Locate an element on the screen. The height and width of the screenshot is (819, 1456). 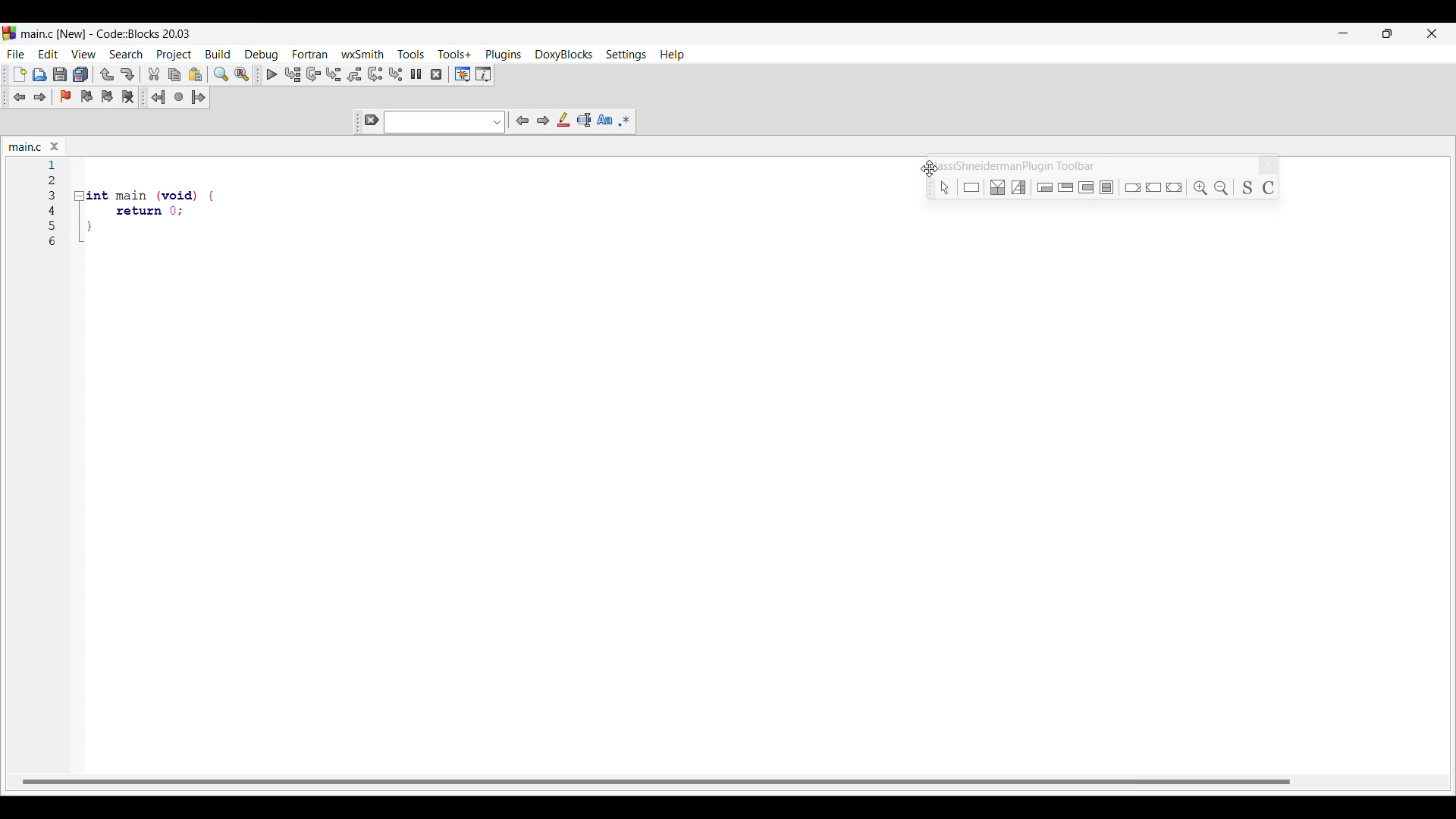
Tools menu is located at coordinates (412, 54).